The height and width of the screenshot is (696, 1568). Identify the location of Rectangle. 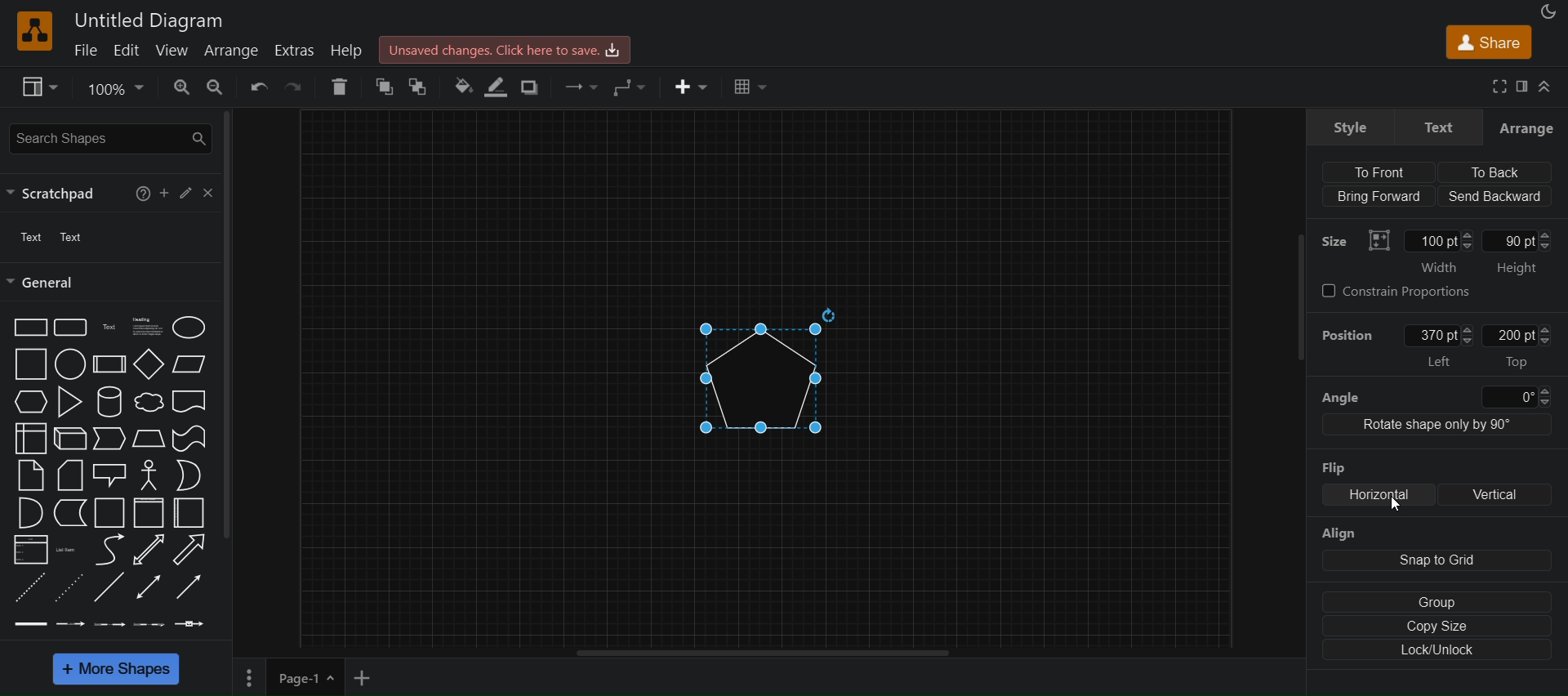
(30, 328).